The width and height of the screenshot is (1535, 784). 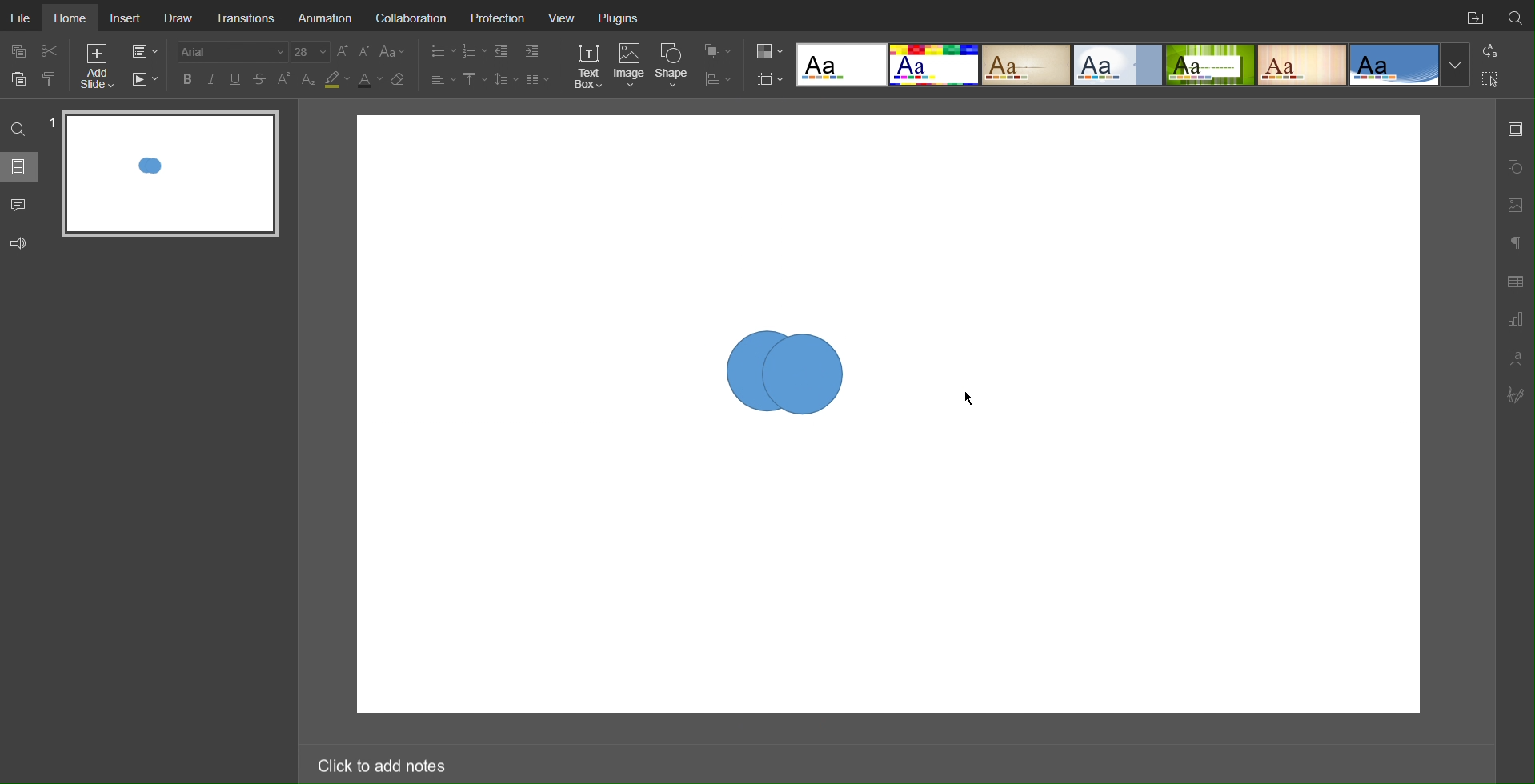 I want to click on Arrangement, so click(x=717, y=50).